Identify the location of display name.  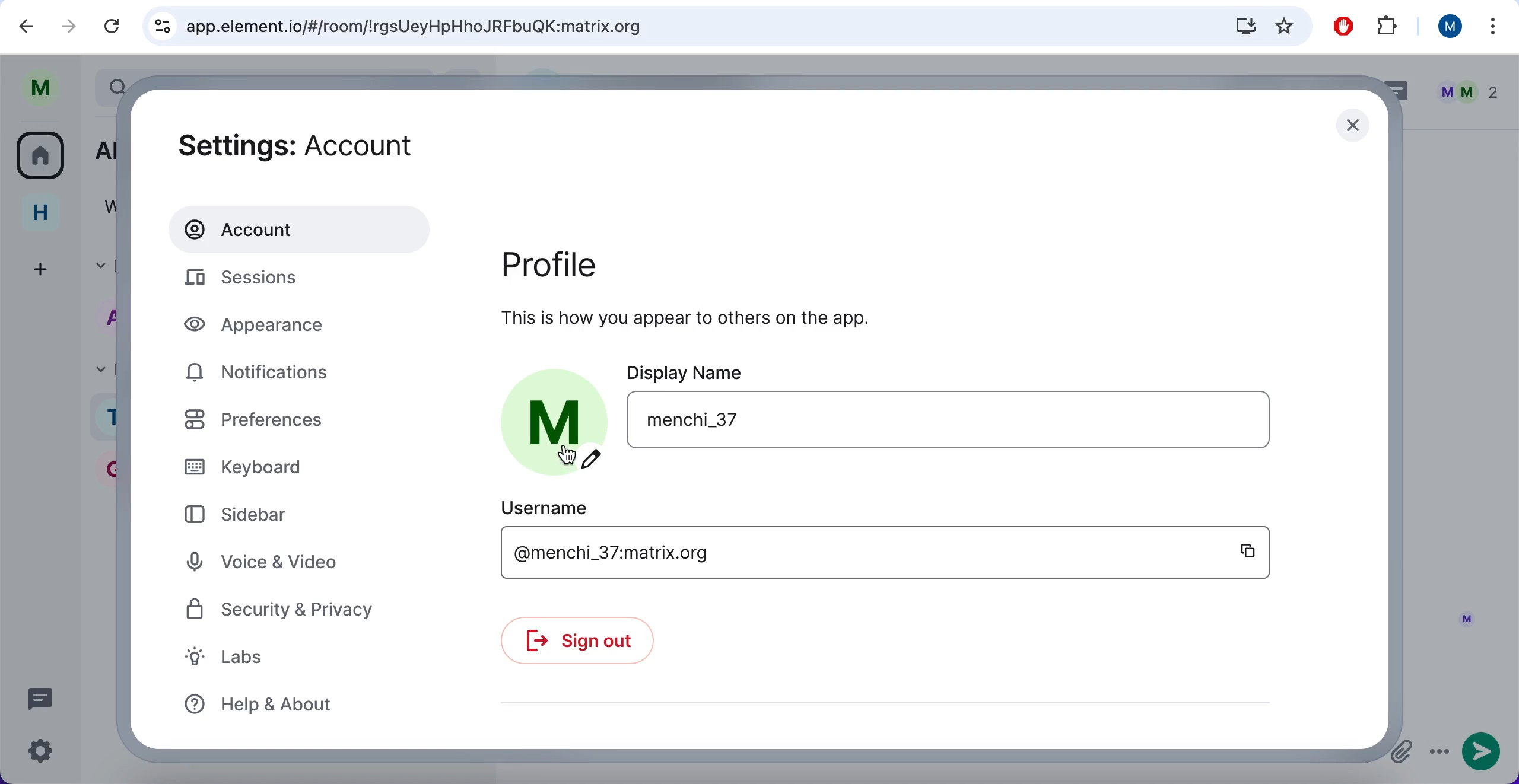
(832, 371).